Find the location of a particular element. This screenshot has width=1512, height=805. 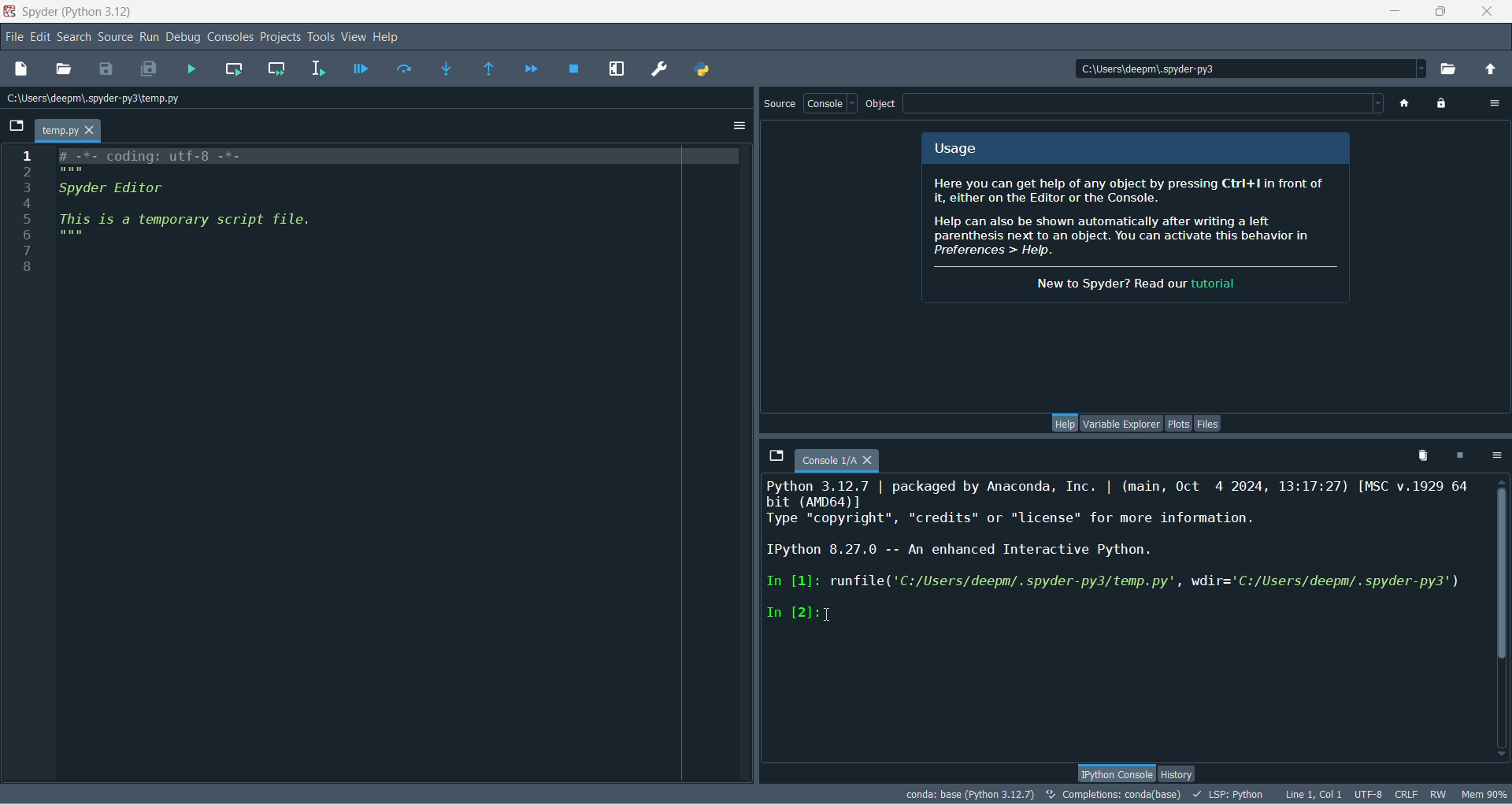

home is located at coordinates (1403, 104).